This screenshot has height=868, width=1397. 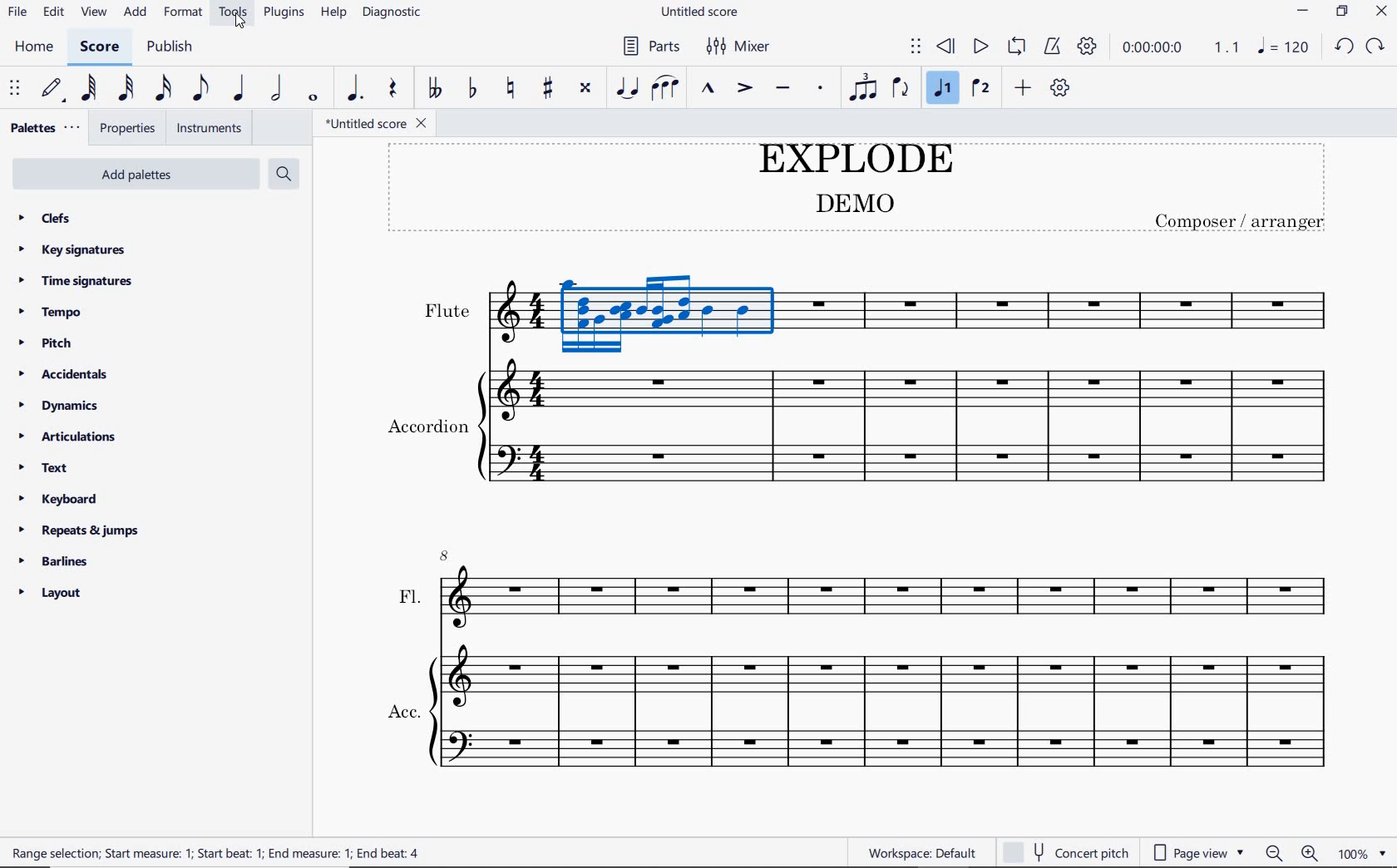 What do you see at coordinates (82, 530) in the screenshot?
I see `repeats & jumps` at bounding box center [82, 530].